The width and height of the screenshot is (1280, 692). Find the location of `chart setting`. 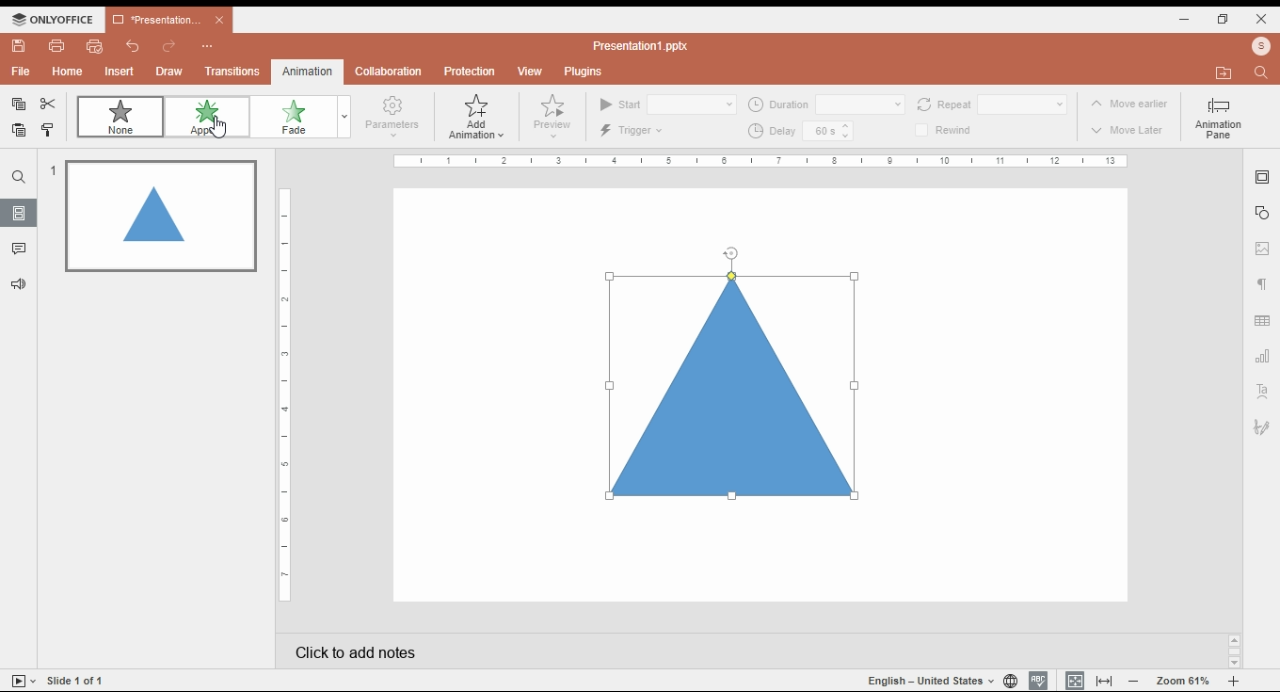

chart setting is located at coordinates (1263, 354).